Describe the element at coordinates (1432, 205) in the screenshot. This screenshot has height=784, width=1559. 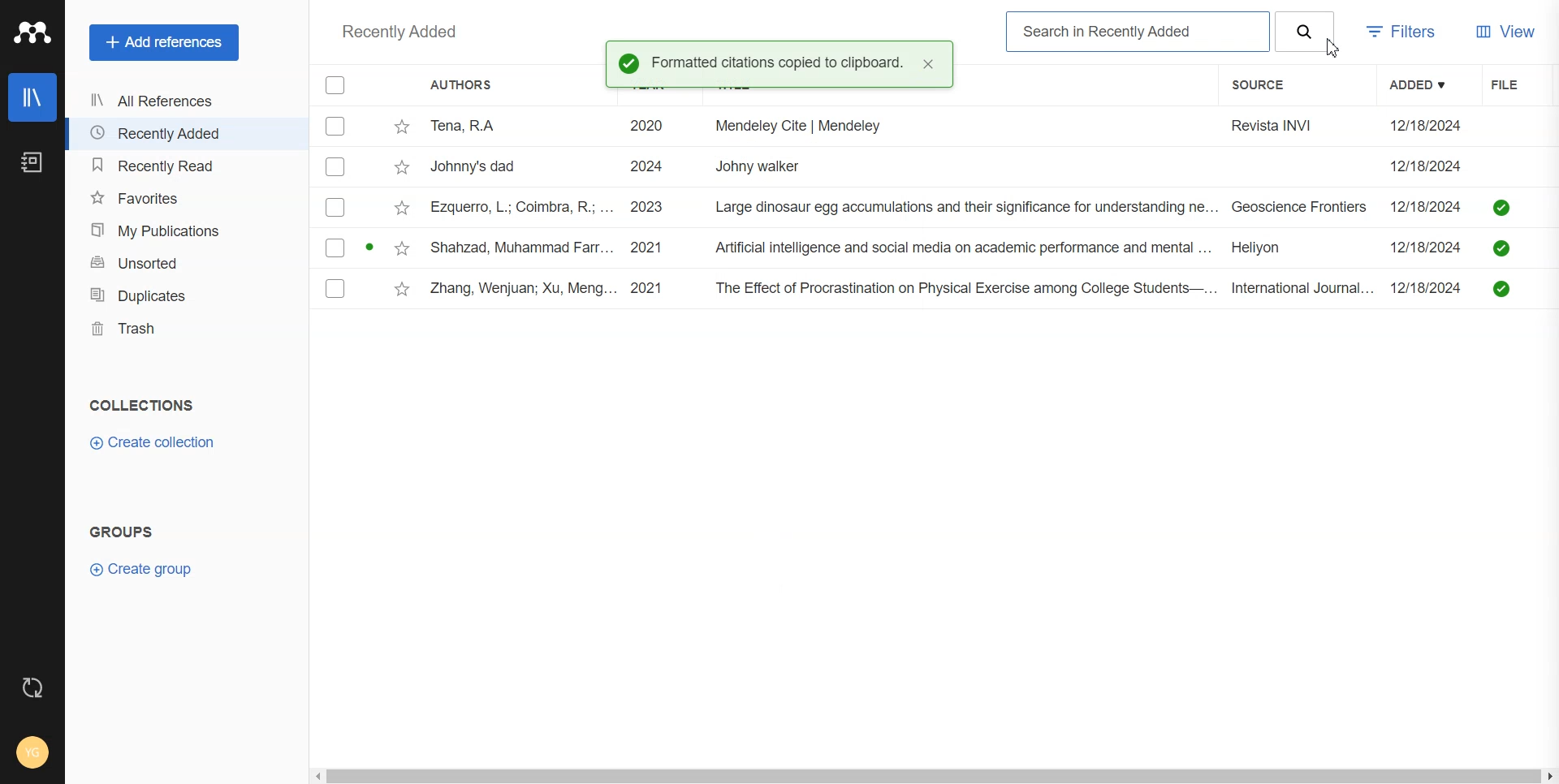
I see `12/18/2024` at that location.